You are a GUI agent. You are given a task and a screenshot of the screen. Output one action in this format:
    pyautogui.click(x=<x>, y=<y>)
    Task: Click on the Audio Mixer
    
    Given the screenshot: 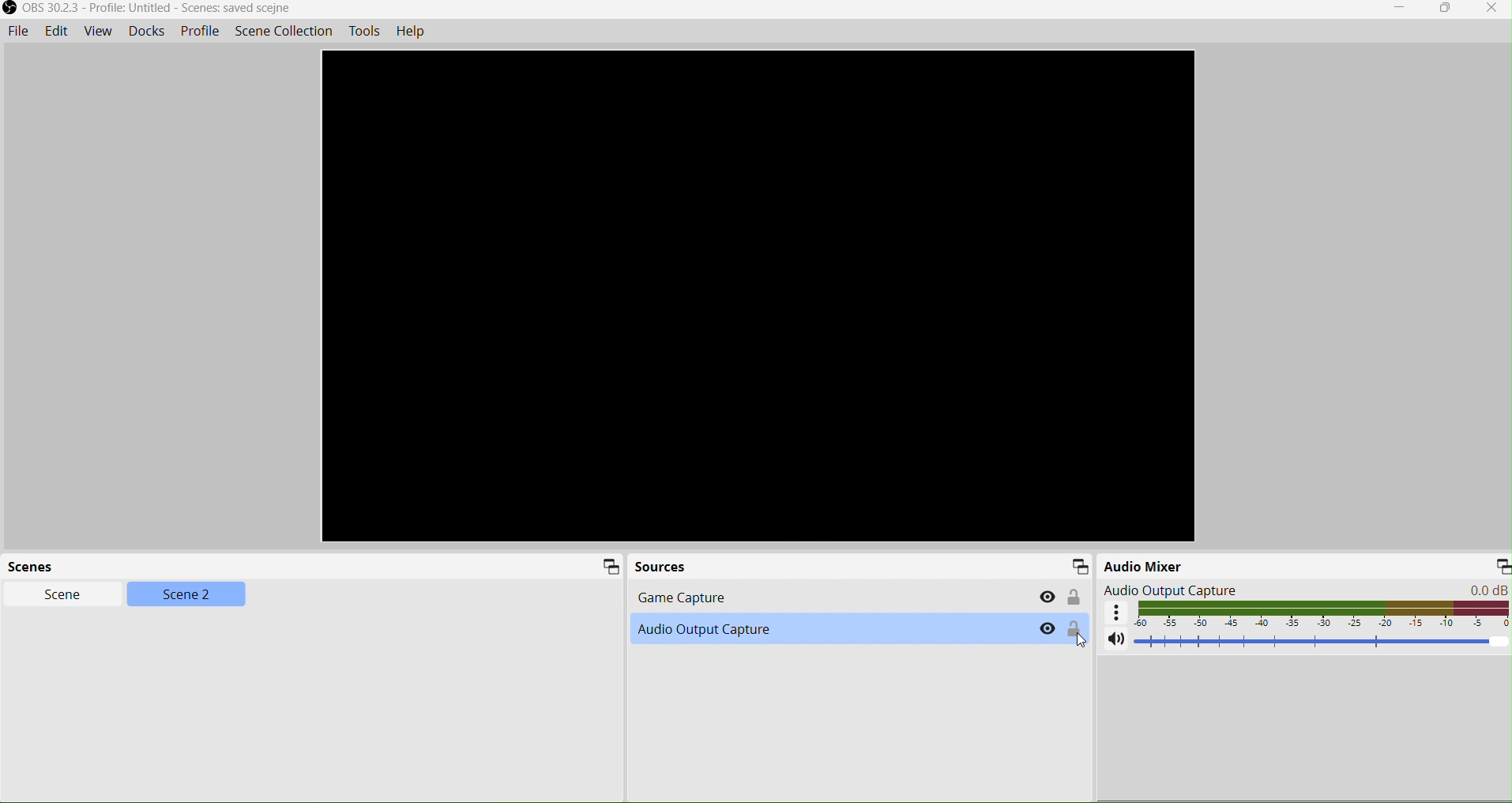 What is the action you would take?
    pyautogui.click(x=1290, y=564)
    